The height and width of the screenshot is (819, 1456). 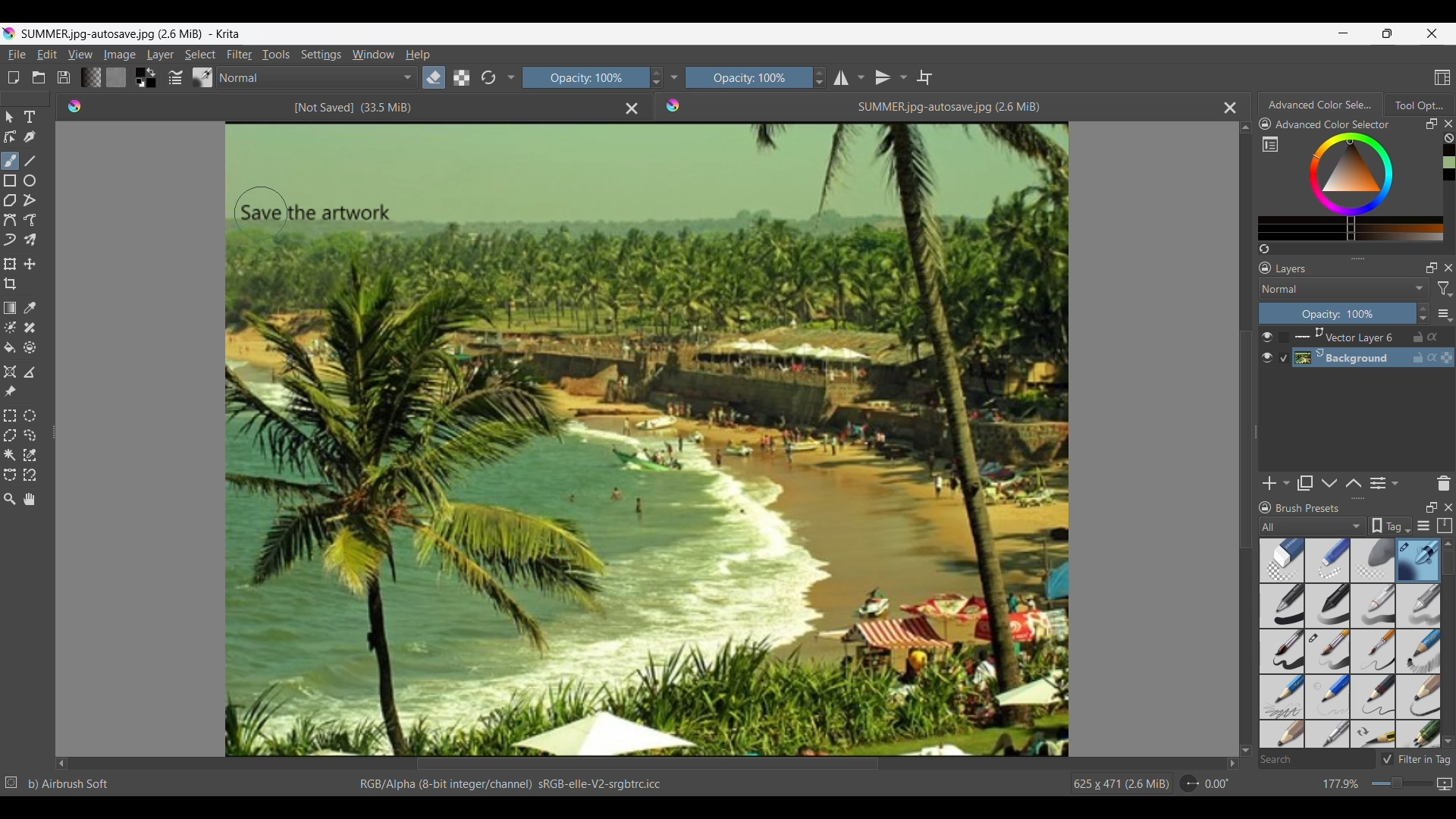 What do you see at coordinates (485, 106) in the screenshot?
I see `Set eraser mode (E)` at bounding box center [485, 106].